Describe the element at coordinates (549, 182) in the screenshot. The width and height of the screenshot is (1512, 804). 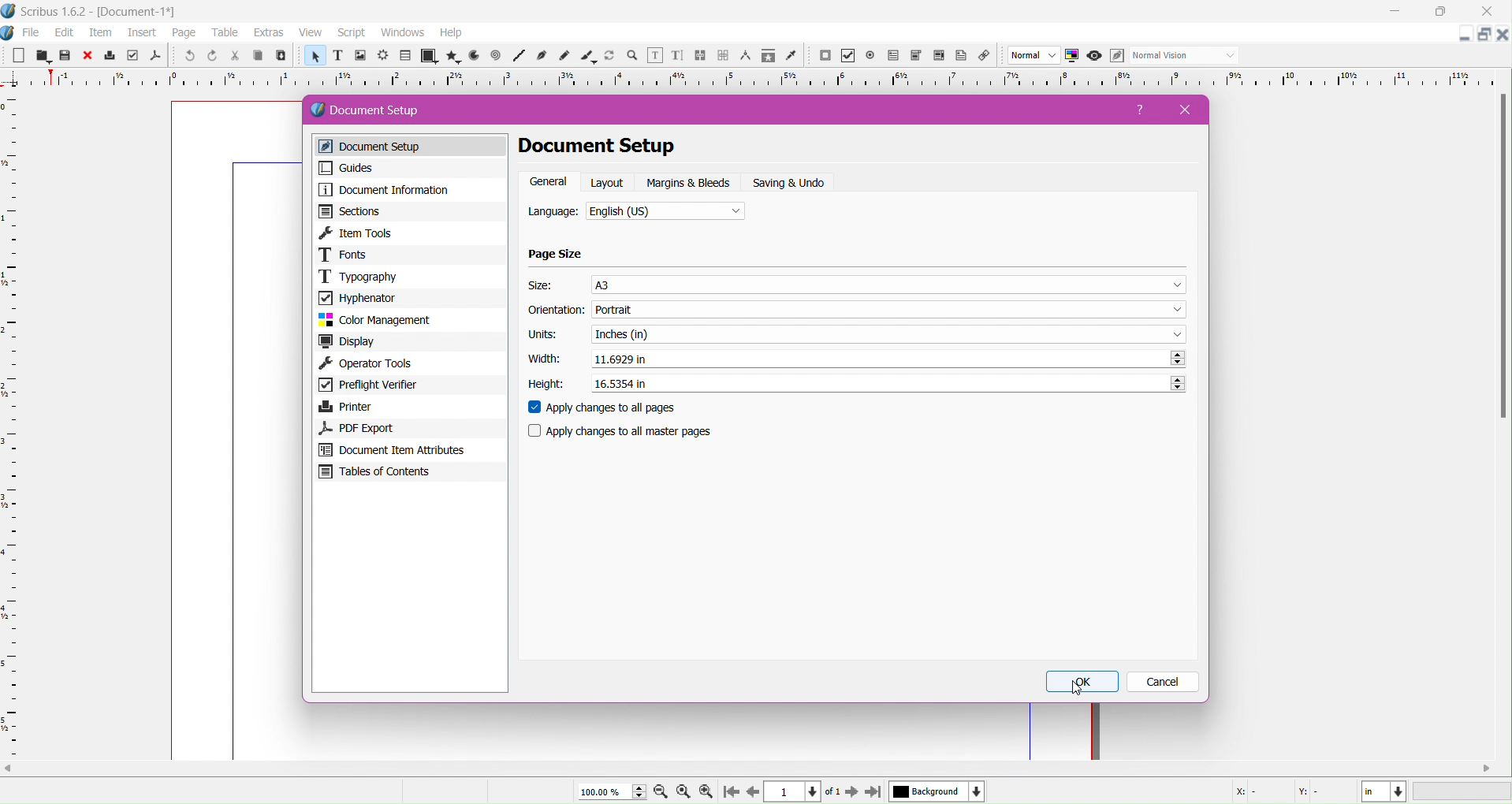
I see `General` at that location.